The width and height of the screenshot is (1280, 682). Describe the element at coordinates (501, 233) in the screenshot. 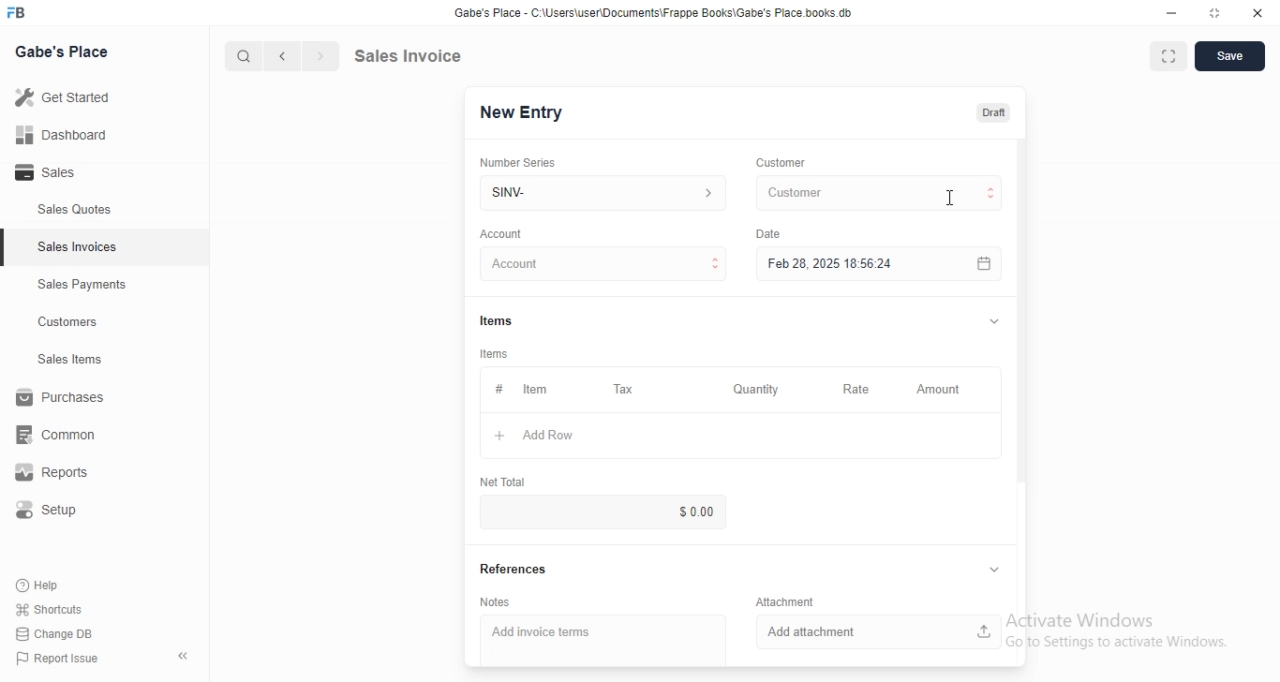

I see `‘Account` at that location.